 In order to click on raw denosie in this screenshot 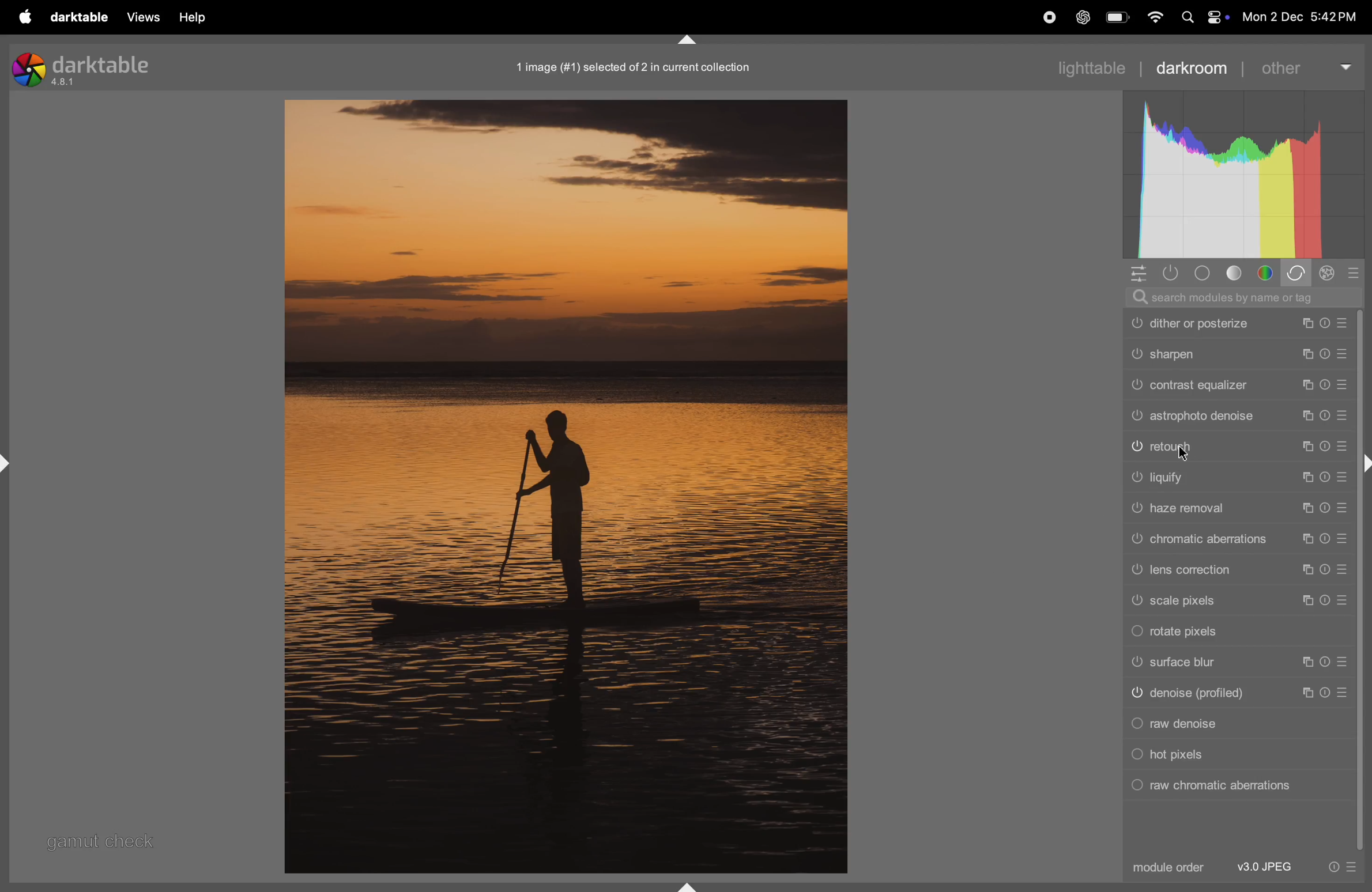, I will do `click(1237, 723)`.